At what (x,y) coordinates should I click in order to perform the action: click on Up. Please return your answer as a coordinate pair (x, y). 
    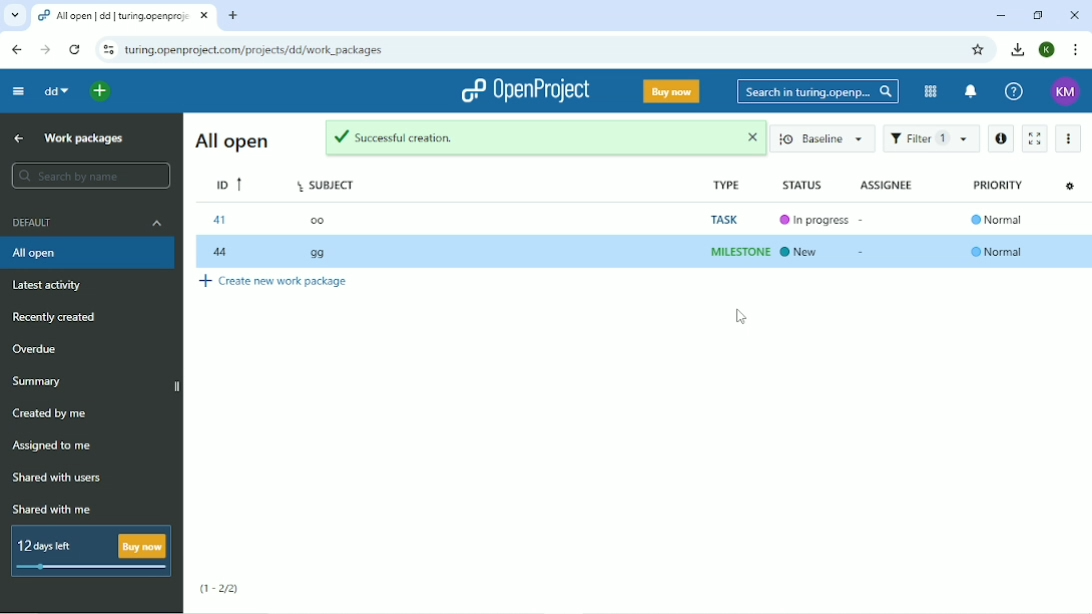
    Looking at the image, I should click on (16, 138).